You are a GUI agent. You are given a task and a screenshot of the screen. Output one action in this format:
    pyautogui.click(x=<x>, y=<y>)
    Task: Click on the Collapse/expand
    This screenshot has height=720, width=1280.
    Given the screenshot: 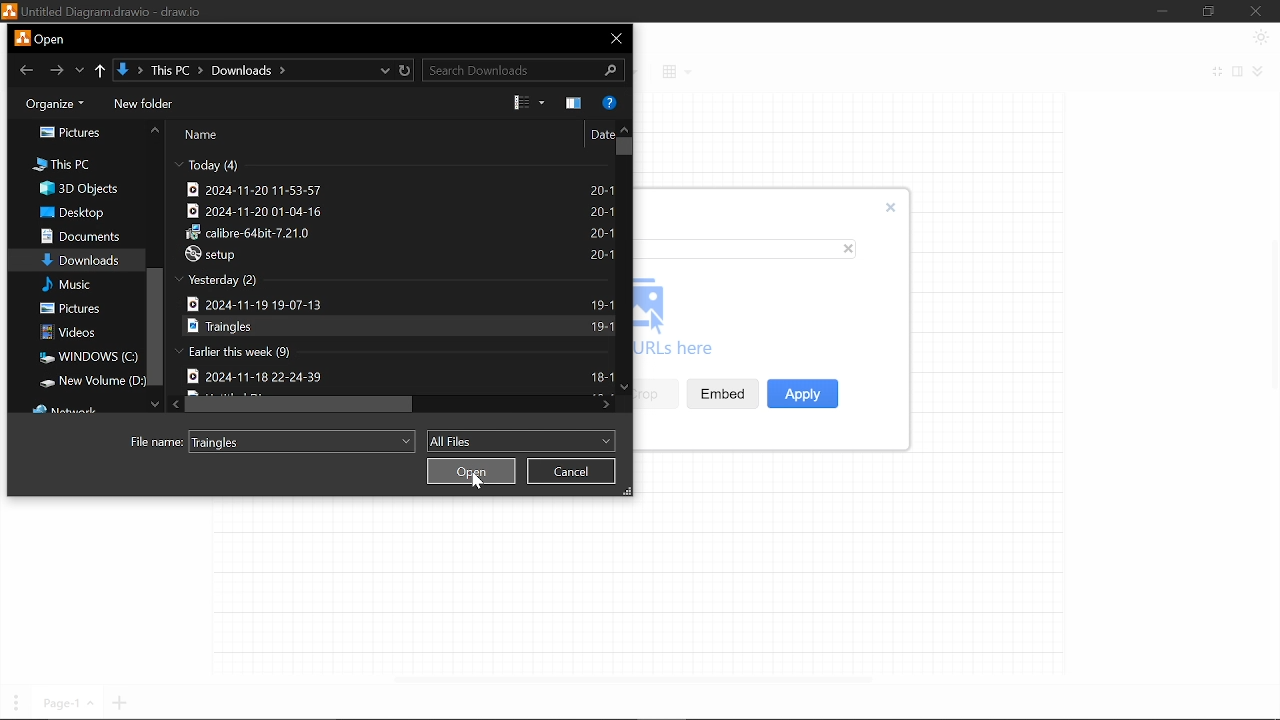 What is the action you would take?
    pyautogui.click(x=1261, y=73)
    